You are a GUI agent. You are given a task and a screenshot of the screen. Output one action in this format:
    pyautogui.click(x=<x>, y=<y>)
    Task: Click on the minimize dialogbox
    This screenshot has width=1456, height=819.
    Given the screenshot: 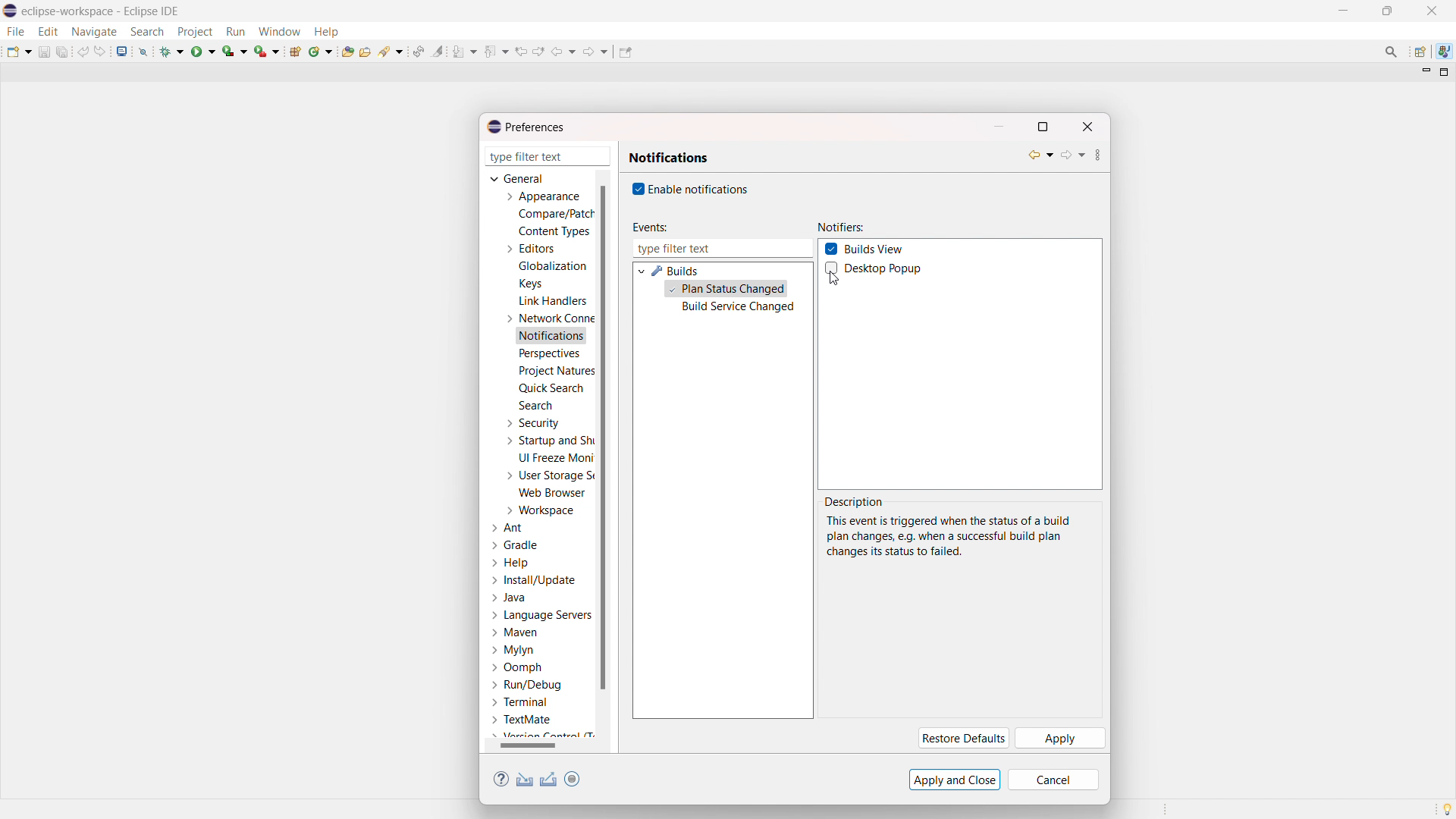 What is the action you would take?
    pyautogui.click(x=998, y=127)
    